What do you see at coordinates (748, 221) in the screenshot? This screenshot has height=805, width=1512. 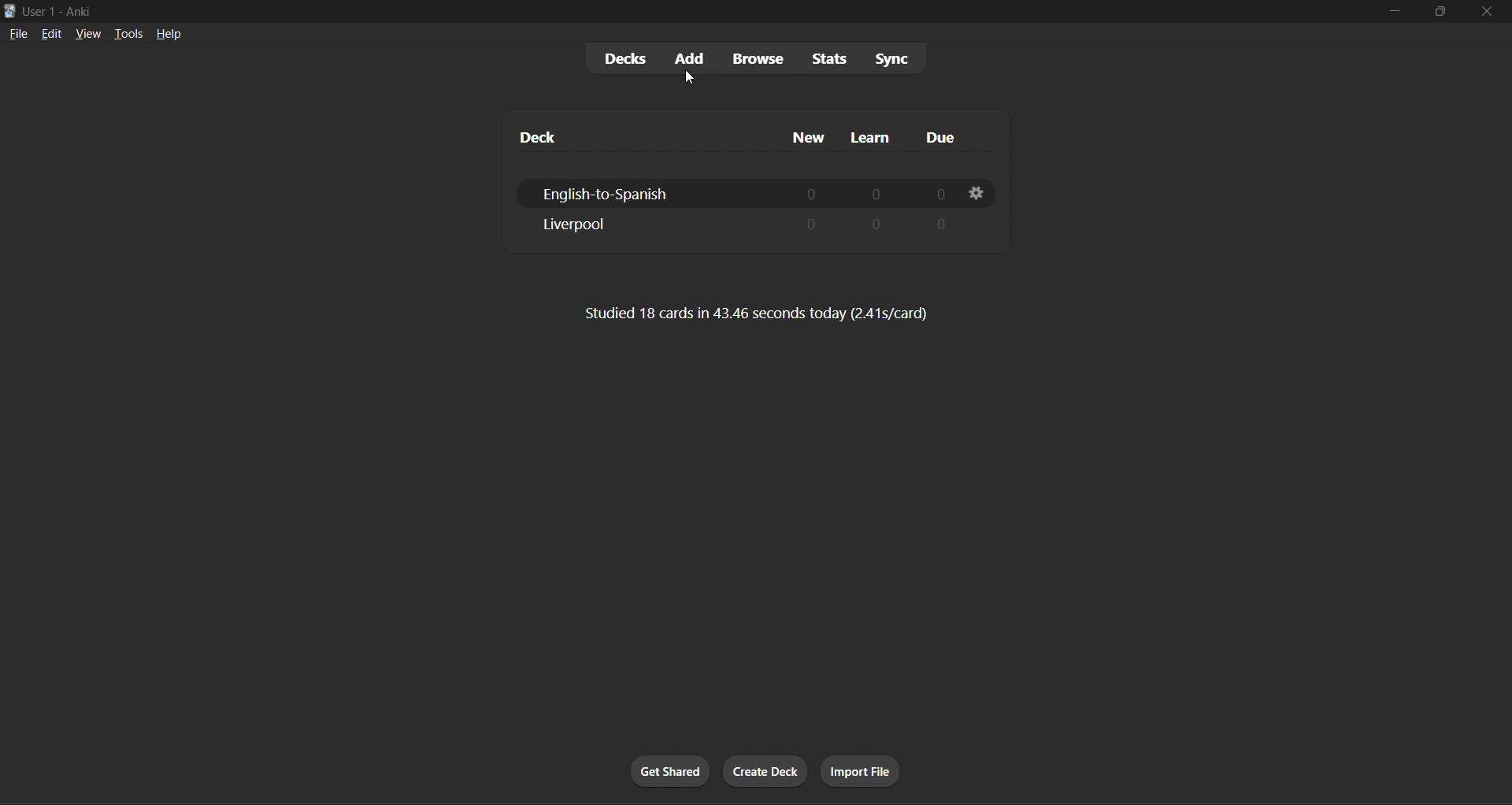 I see `liverpool deck` at bounding box center [748, 221].